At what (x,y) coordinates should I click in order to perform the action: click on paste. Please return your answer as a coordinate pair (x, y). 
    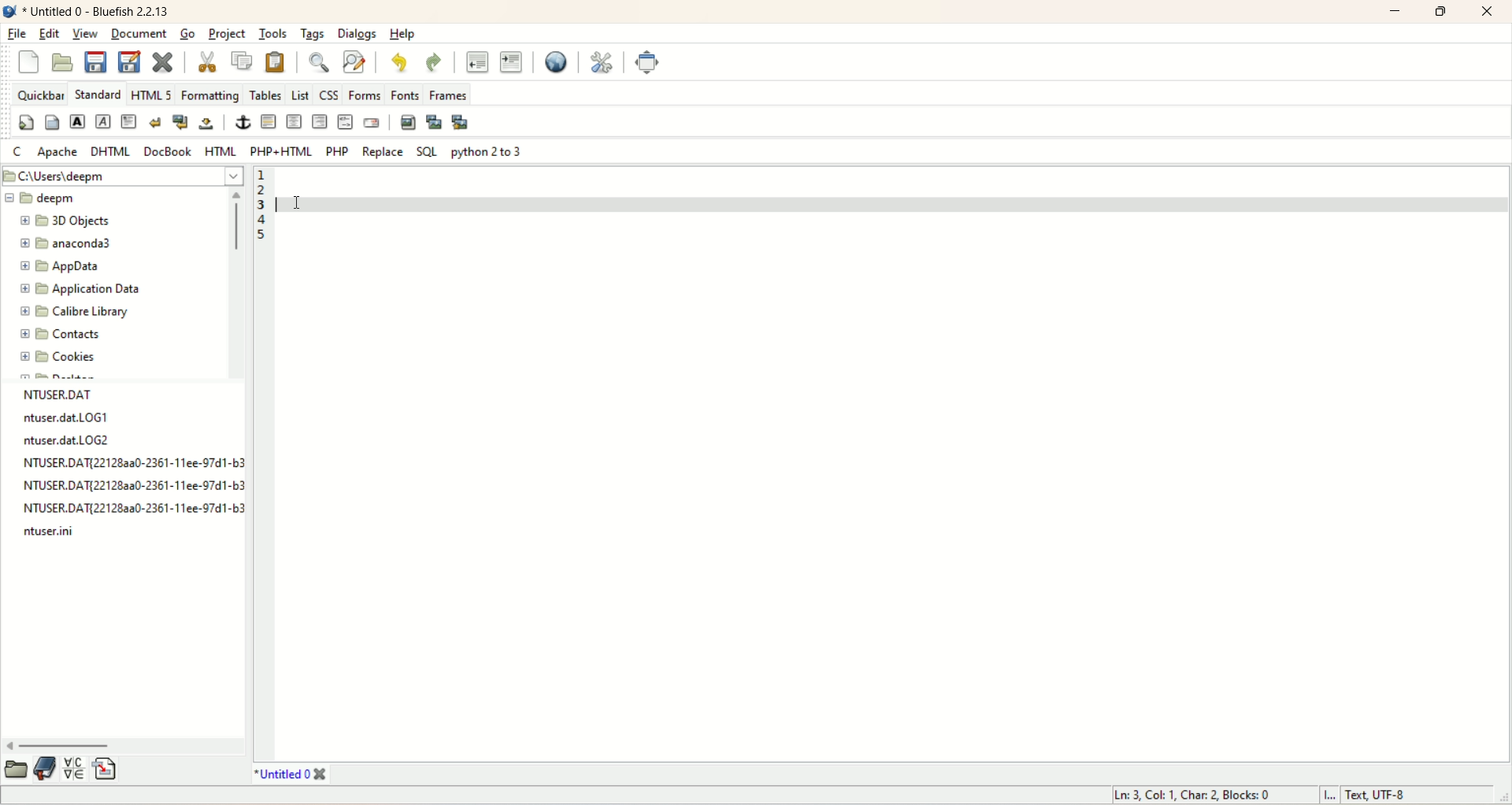
    Looking at the image, I should click on (276, 61).